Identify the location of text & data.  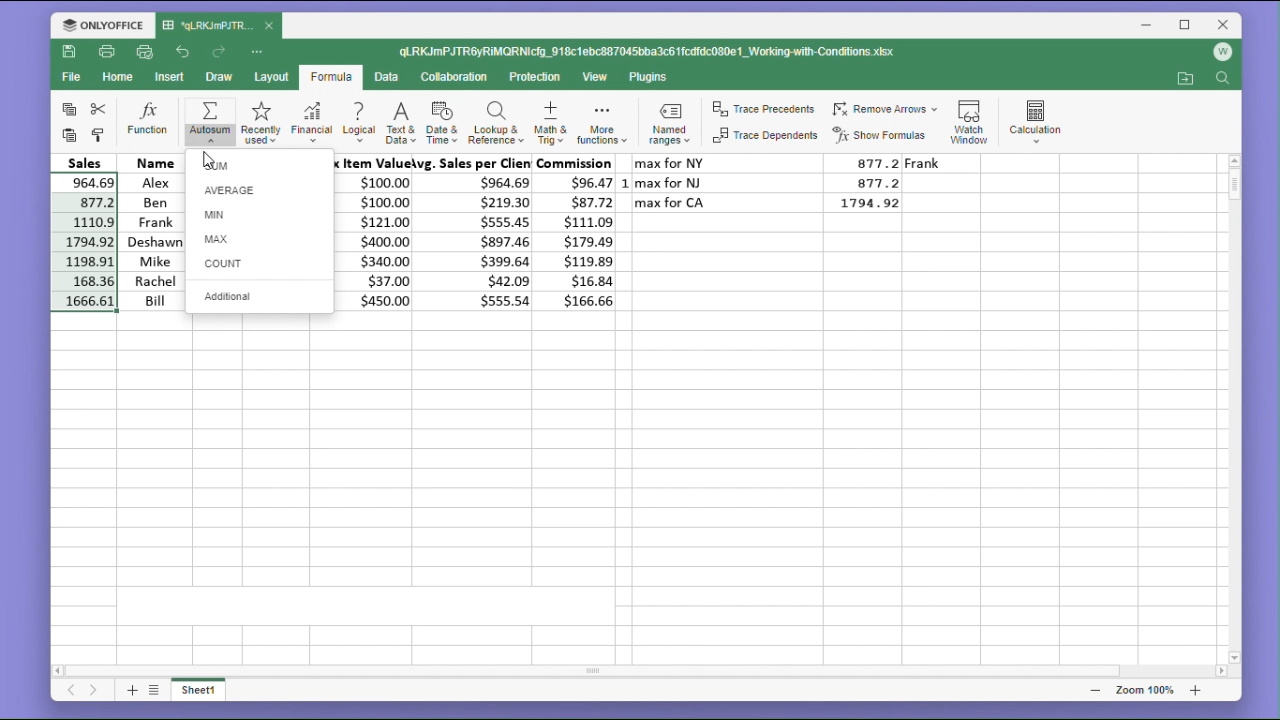
(399, 125).